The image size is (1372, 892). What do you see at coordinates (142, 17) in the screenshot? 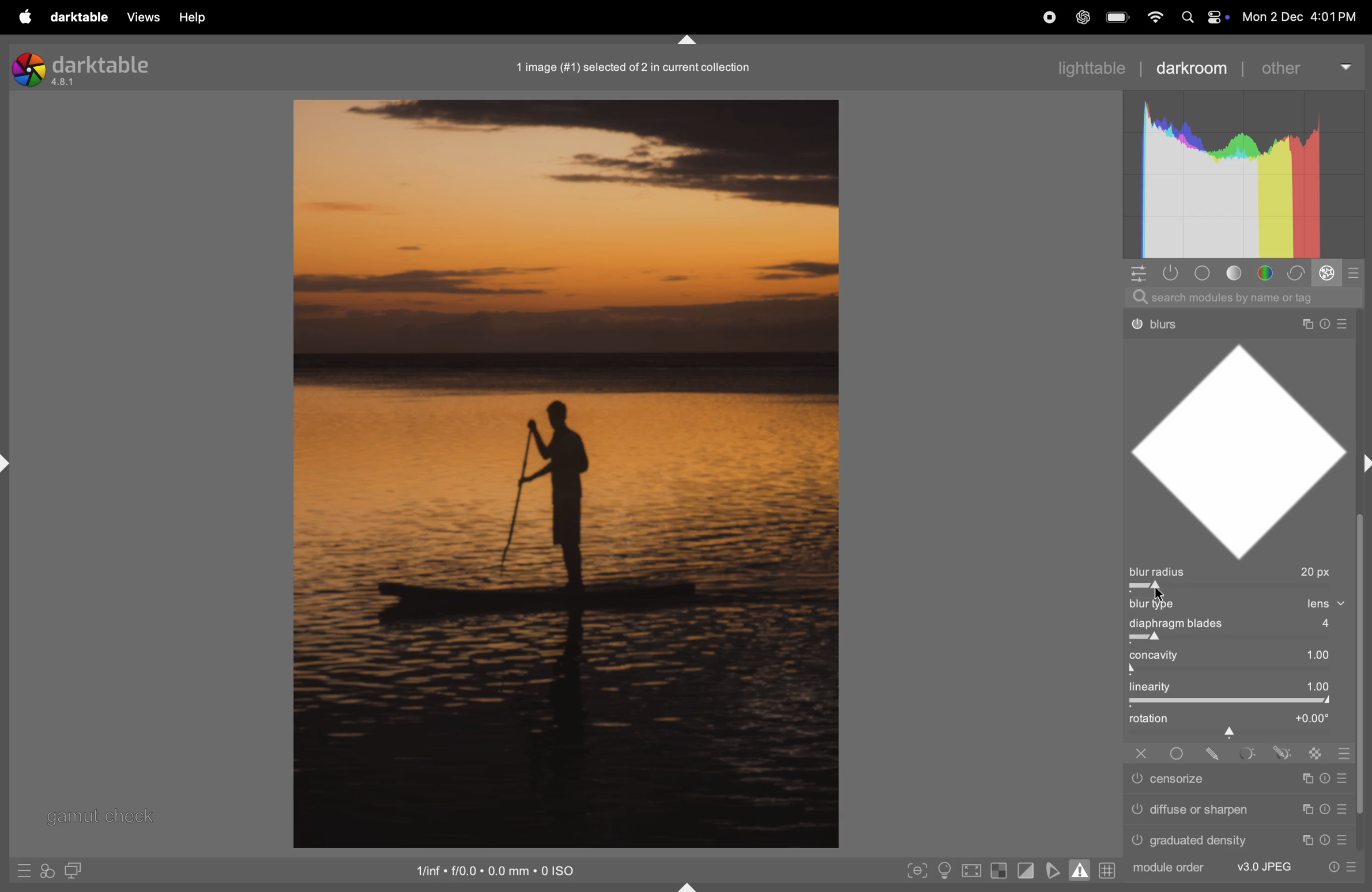
I see `views` at bounding box center [142, 17].